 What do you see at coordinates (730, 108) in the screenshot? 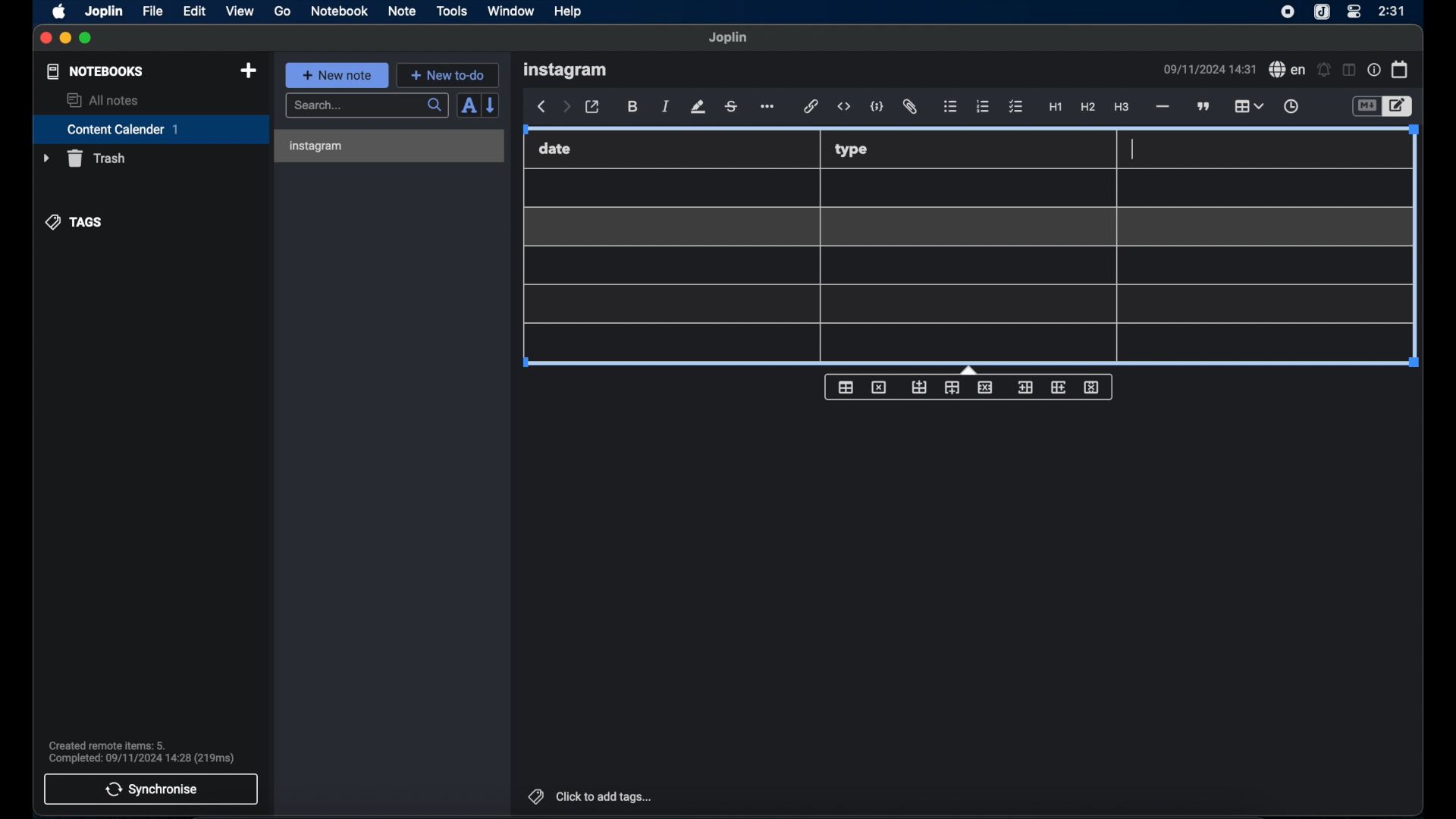
I see `strikethrough` at bounding box center [730, 108].